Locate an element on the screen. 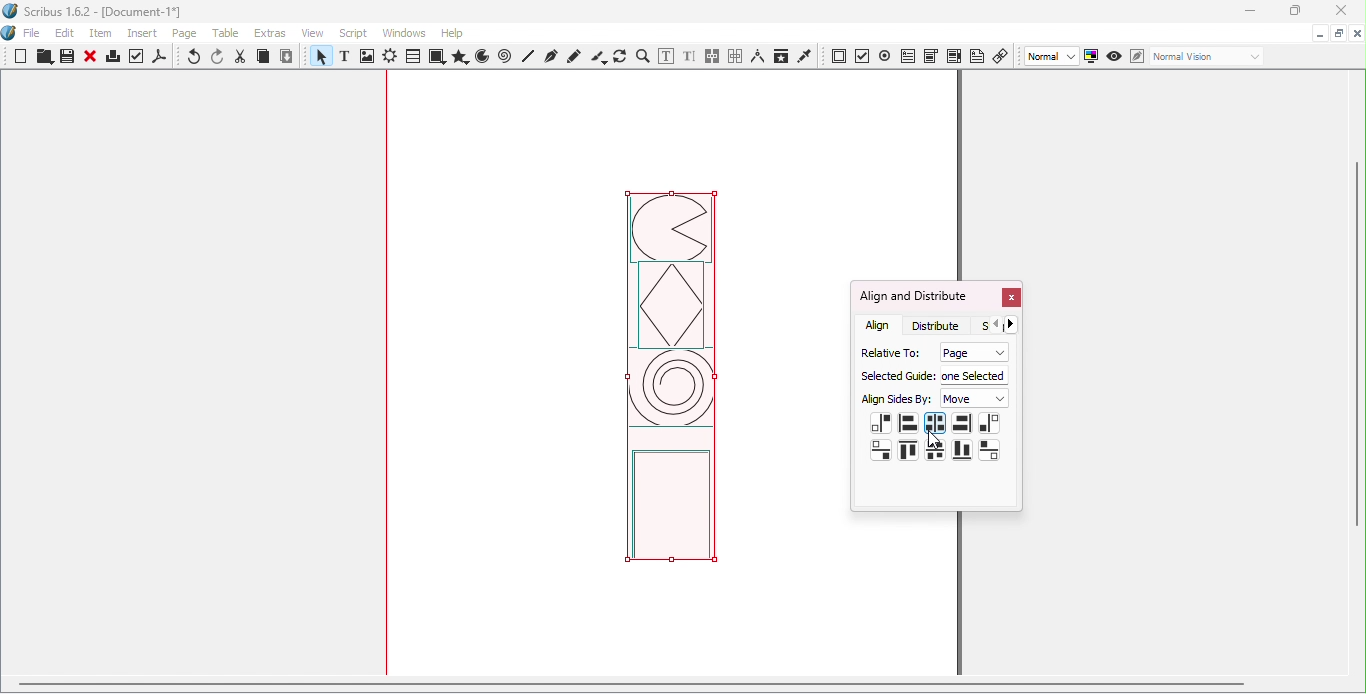  View is located at coordinates (317, 32).